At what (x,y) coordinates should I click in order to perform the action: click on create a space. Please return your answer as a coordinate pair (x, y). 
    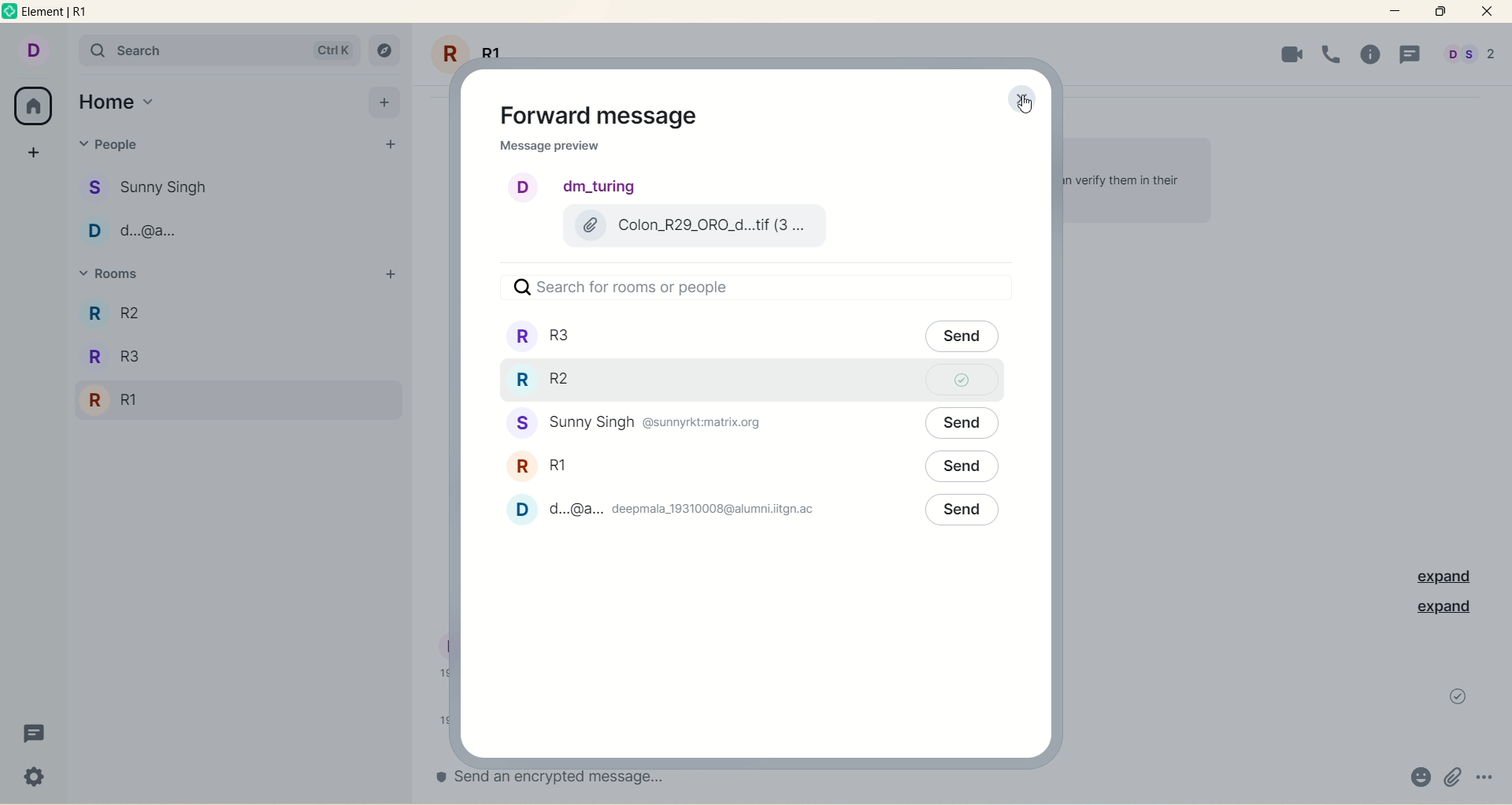
    Looking at the image, I should click on (36, 149).